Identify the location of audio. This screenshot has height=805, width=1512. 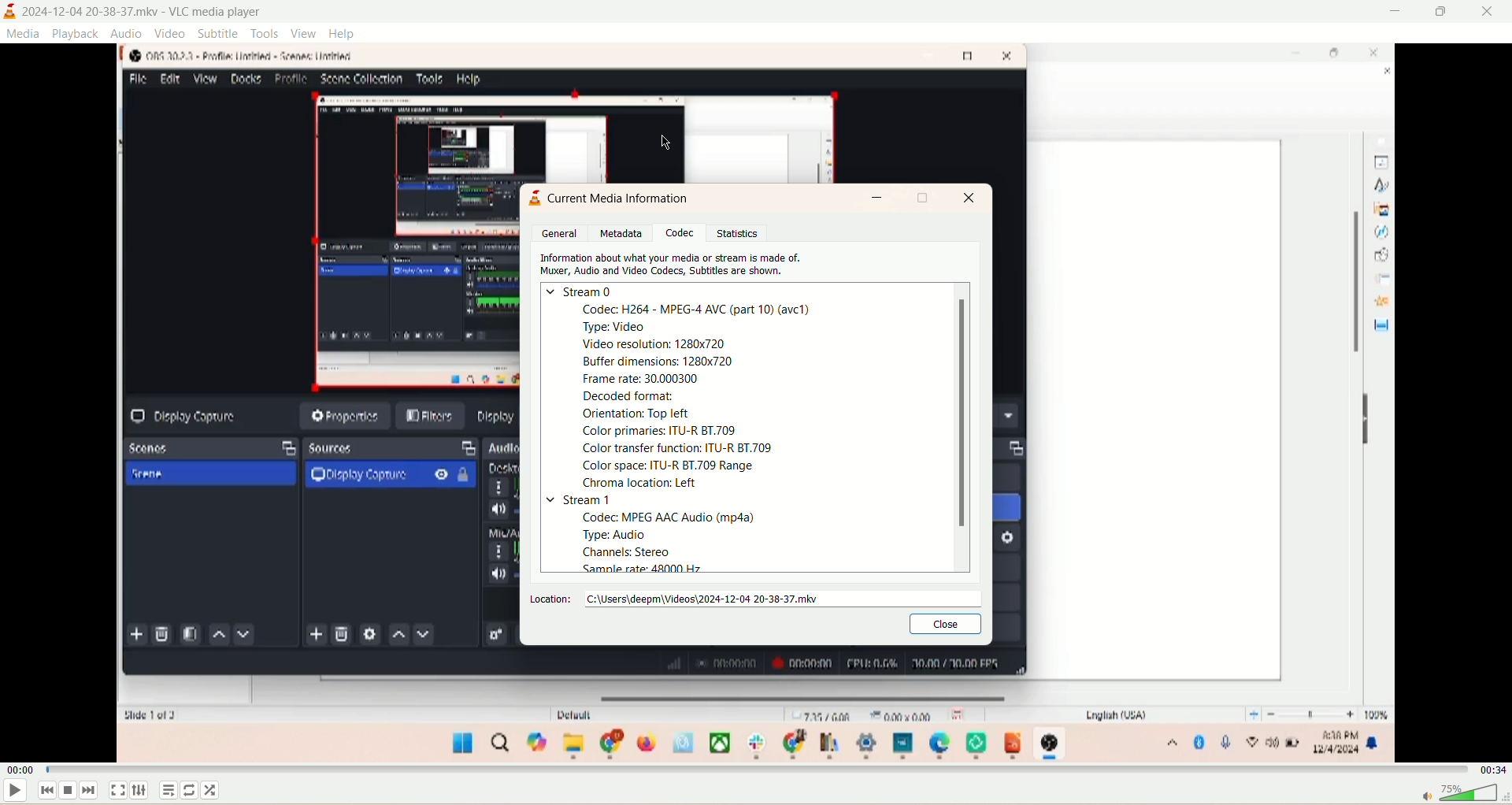
(127, 32).